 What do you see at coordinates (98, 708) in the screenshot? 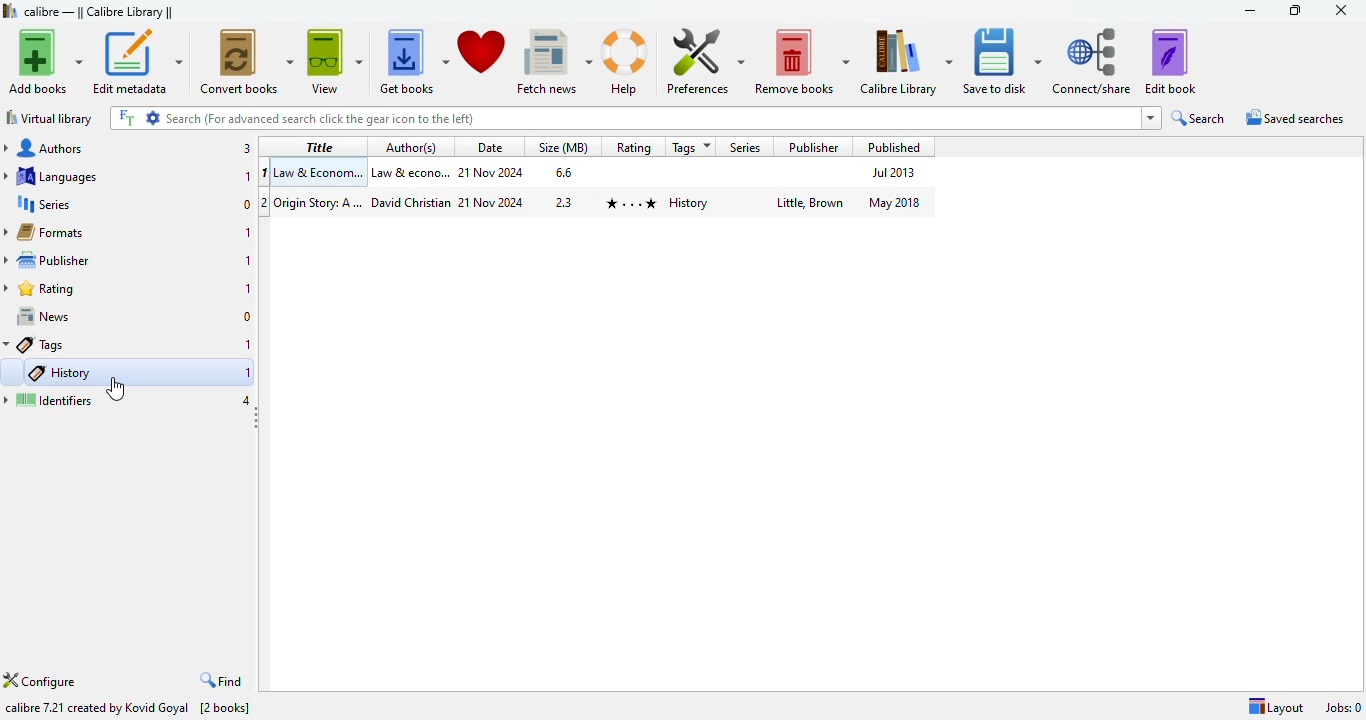
I see `calibre 7.21 created by Kovid Goyal` at bounding box center [98, 708].